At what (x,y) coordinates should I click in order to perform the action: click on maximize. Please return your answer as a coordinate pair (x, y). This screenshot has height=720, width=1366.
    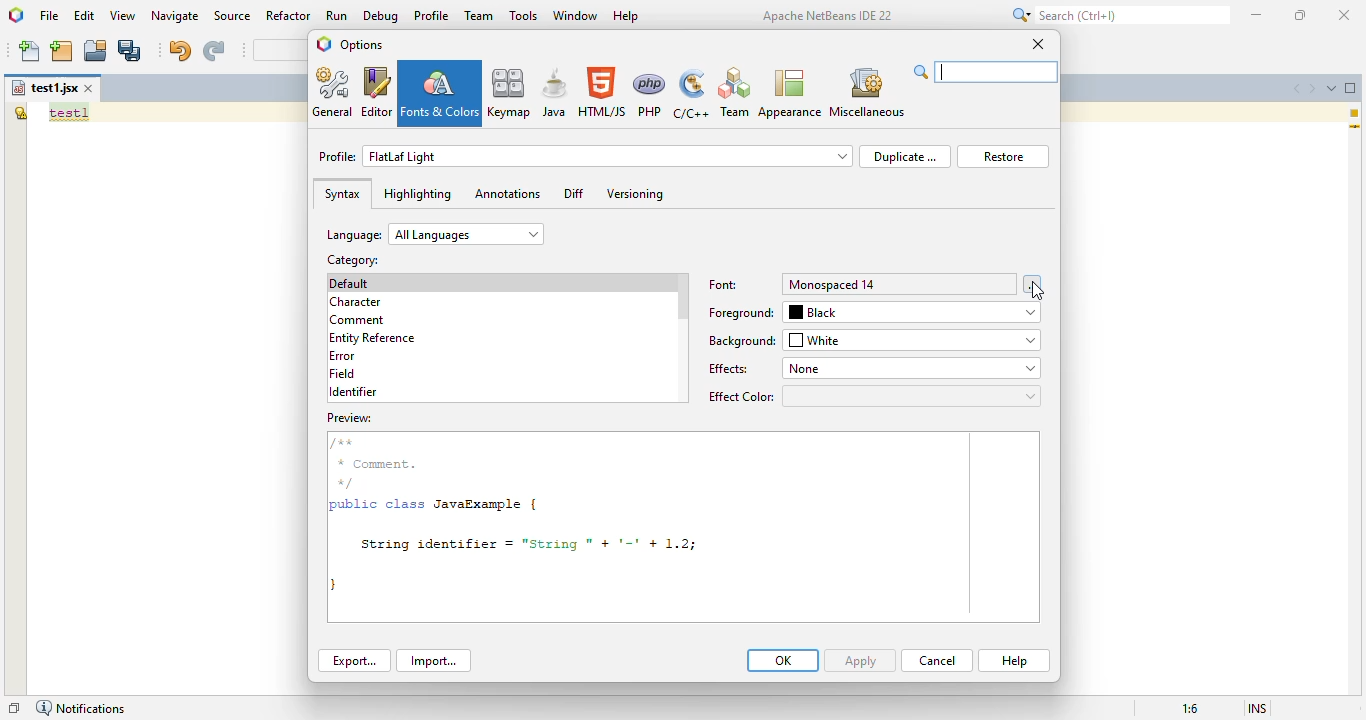
    Looking at the image, I should click on (1301, 15).